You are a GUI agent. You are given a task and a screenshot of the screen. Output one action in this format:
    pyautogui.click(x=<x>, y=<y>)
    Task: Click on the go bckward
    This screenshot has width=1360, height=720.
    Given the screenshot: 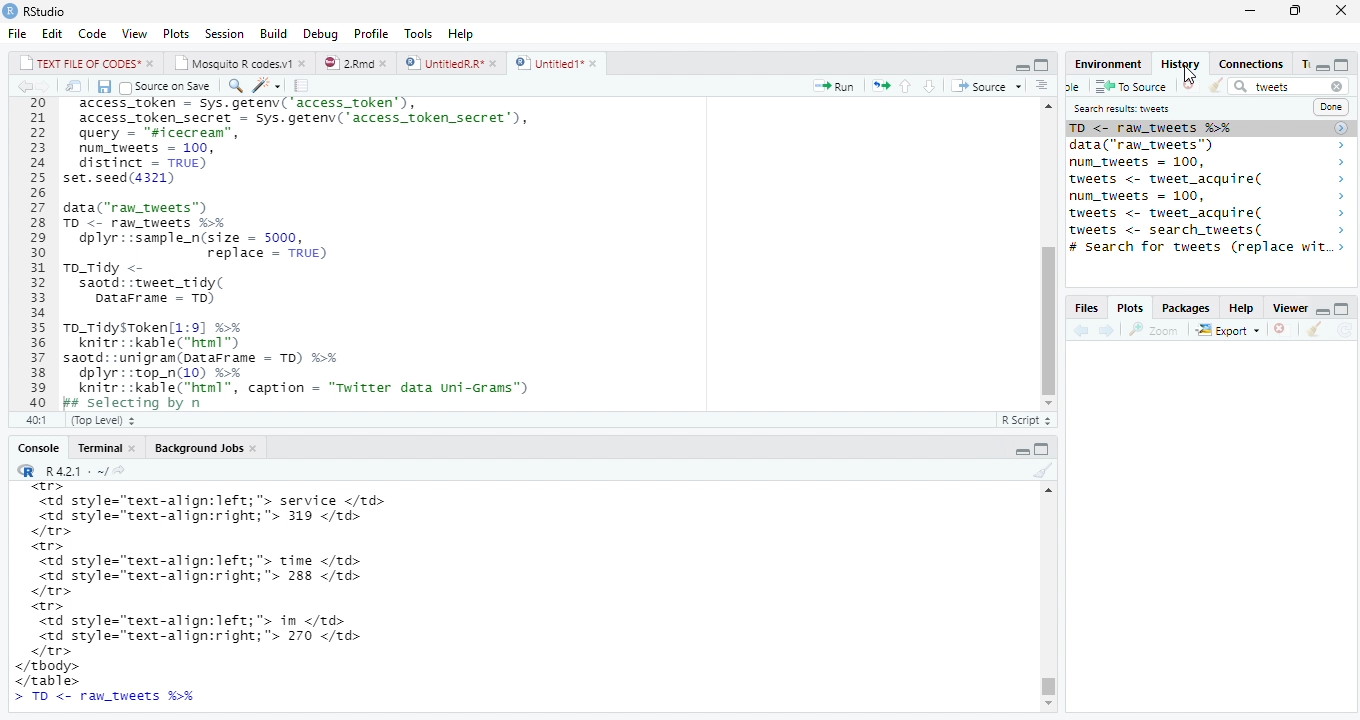 What is the action you would take?
    pyautogui.click(x=32, y=85)
    